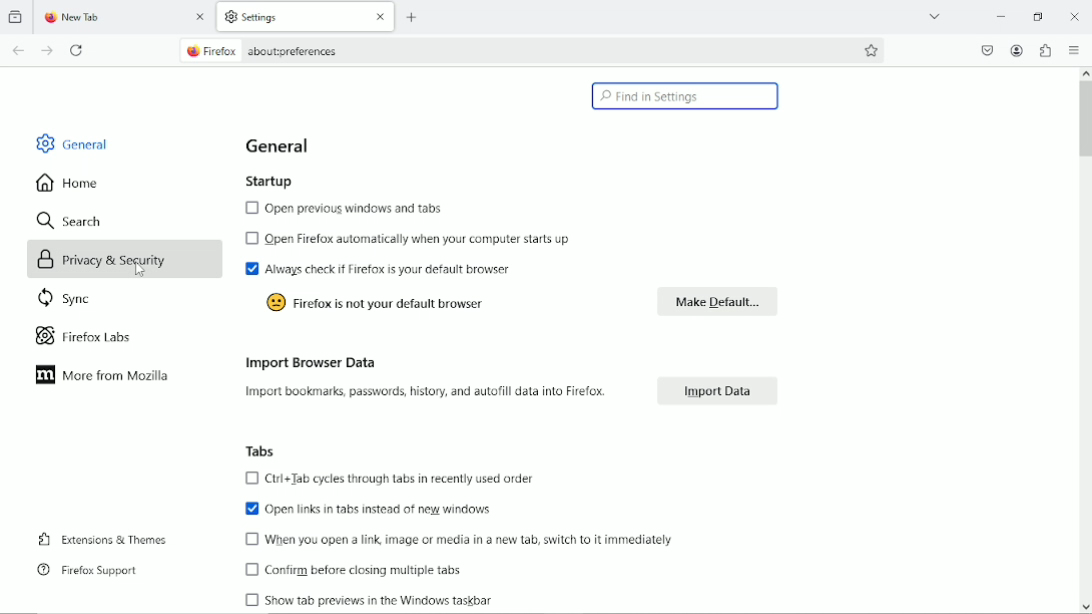  What do you see at coordinates (278, 145) in the screenshot?
I see `general` at bounding box center [278, 145].